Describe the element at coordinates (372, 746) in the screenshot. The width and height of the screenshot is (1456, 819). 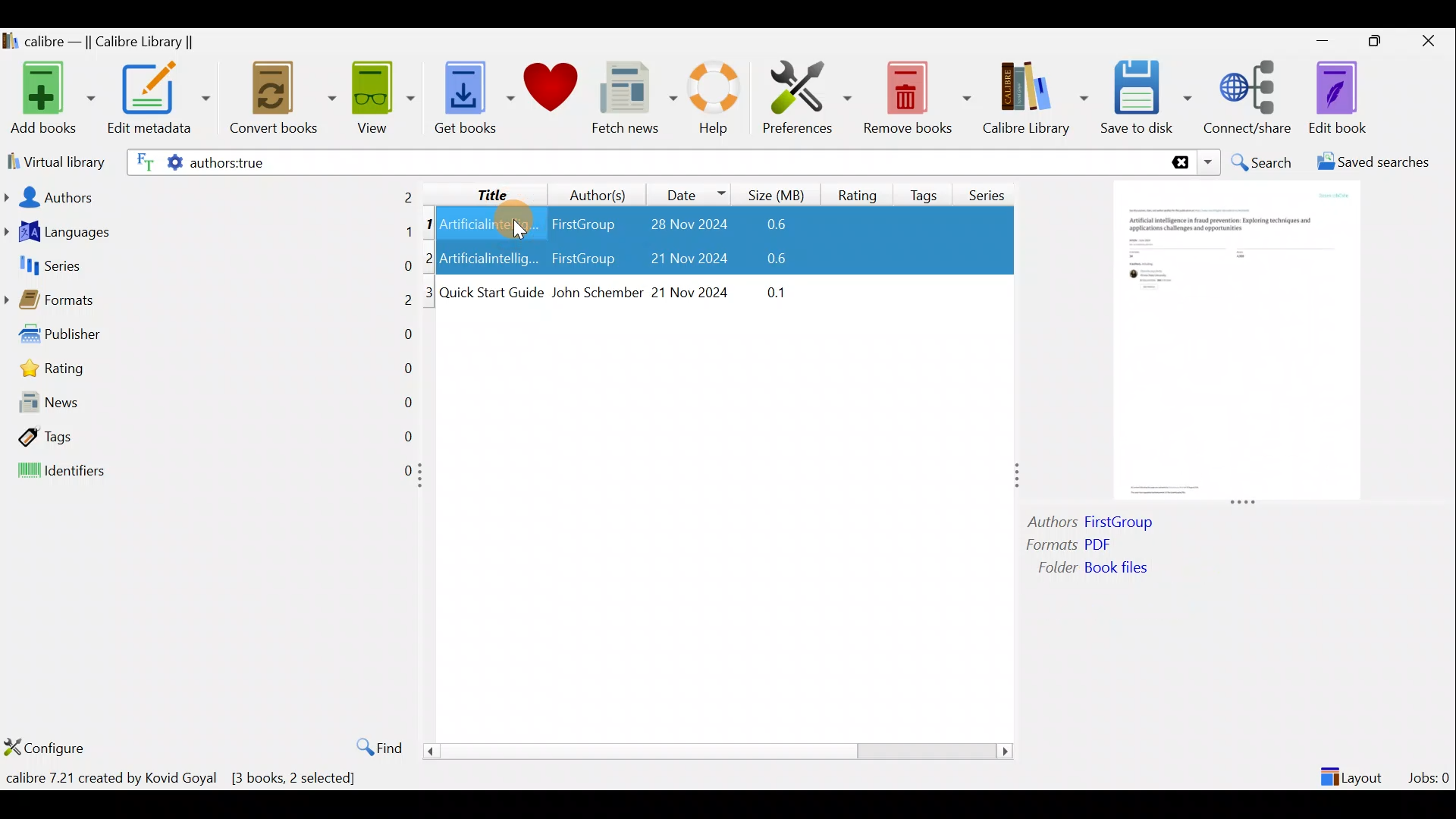
I see `Find` at that location.